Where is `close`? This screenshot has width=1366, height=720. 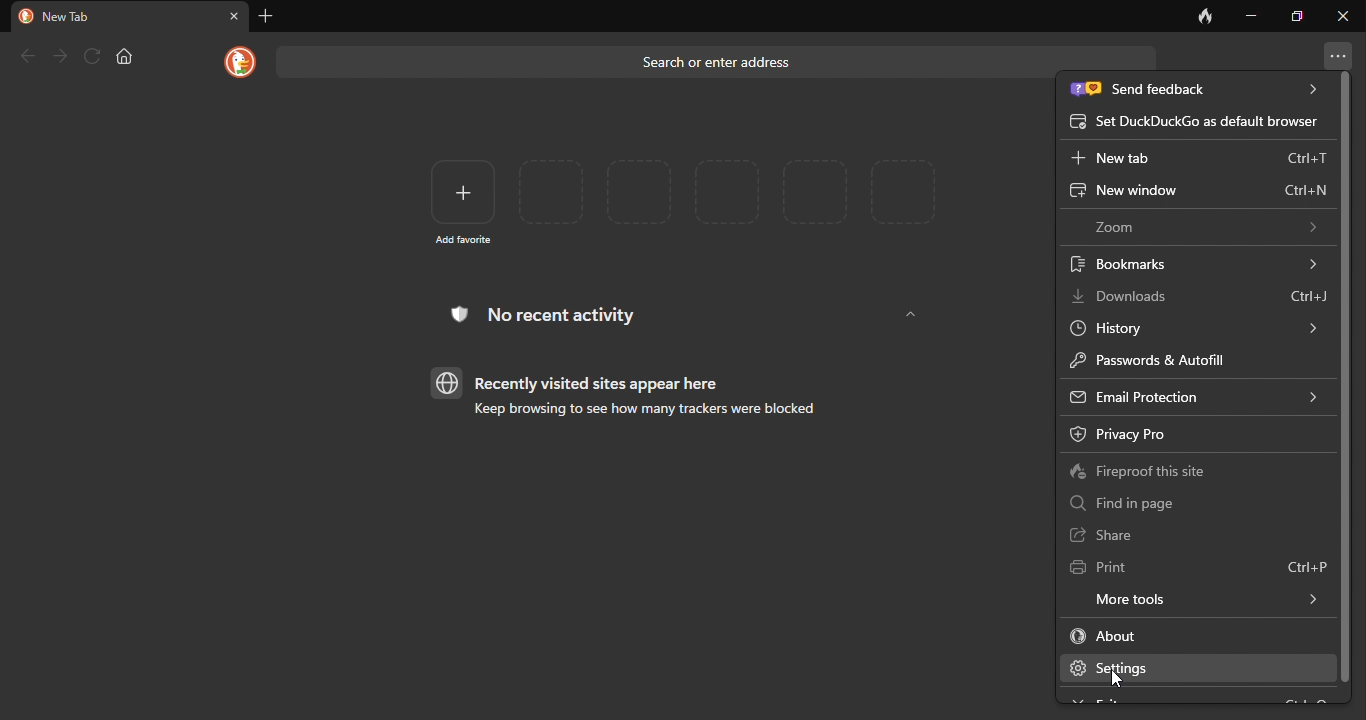
close is located at coordinates (1342, 15).